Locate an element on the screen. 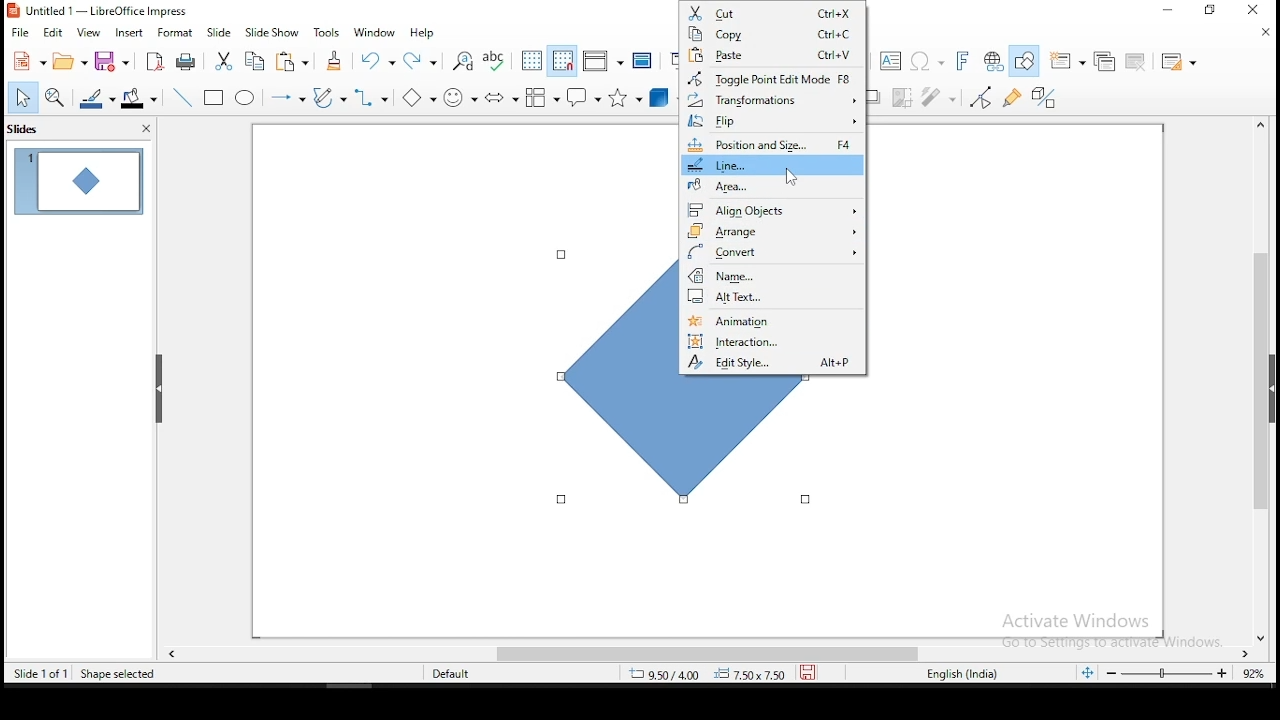 This screenshot has width=1280, height=720. close is located at coordinates (1266, 32).